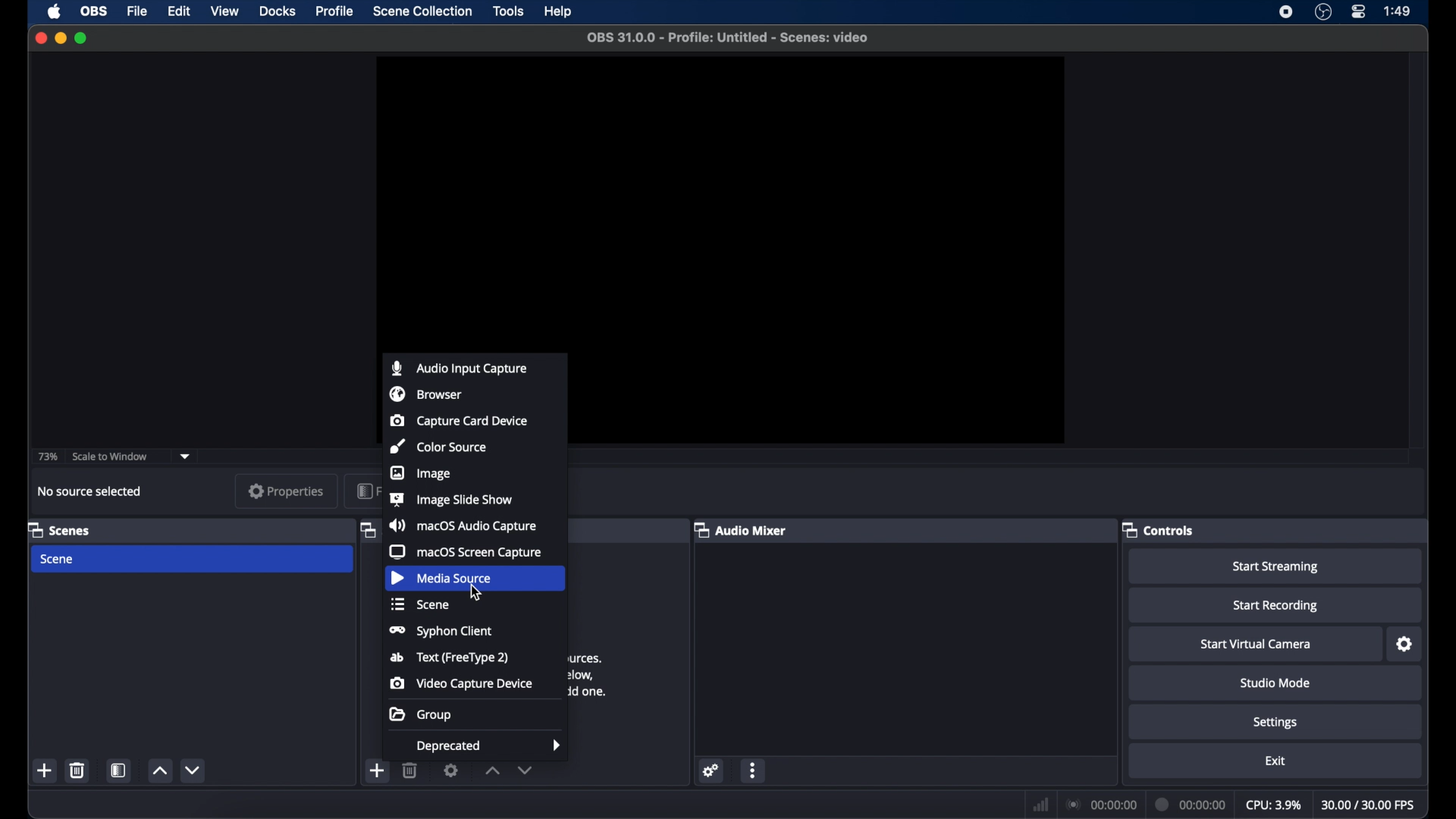  What do you see at coordinates (336, 11) in the screenshot?
I see `profile` at bounding box center [336, 11].